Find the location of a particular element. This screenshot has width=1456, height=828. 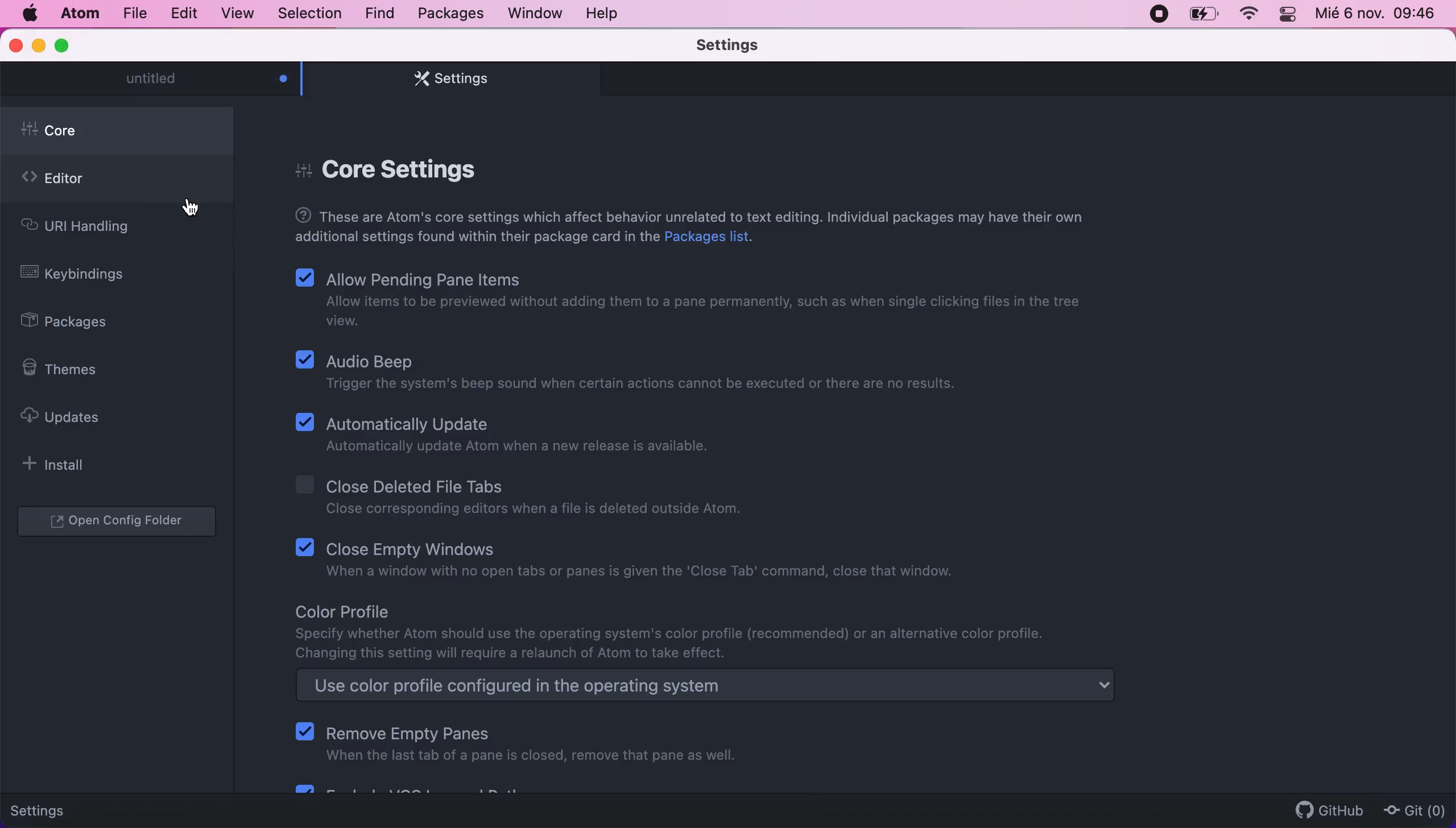

wifi is located at coordinates (1250, 14).